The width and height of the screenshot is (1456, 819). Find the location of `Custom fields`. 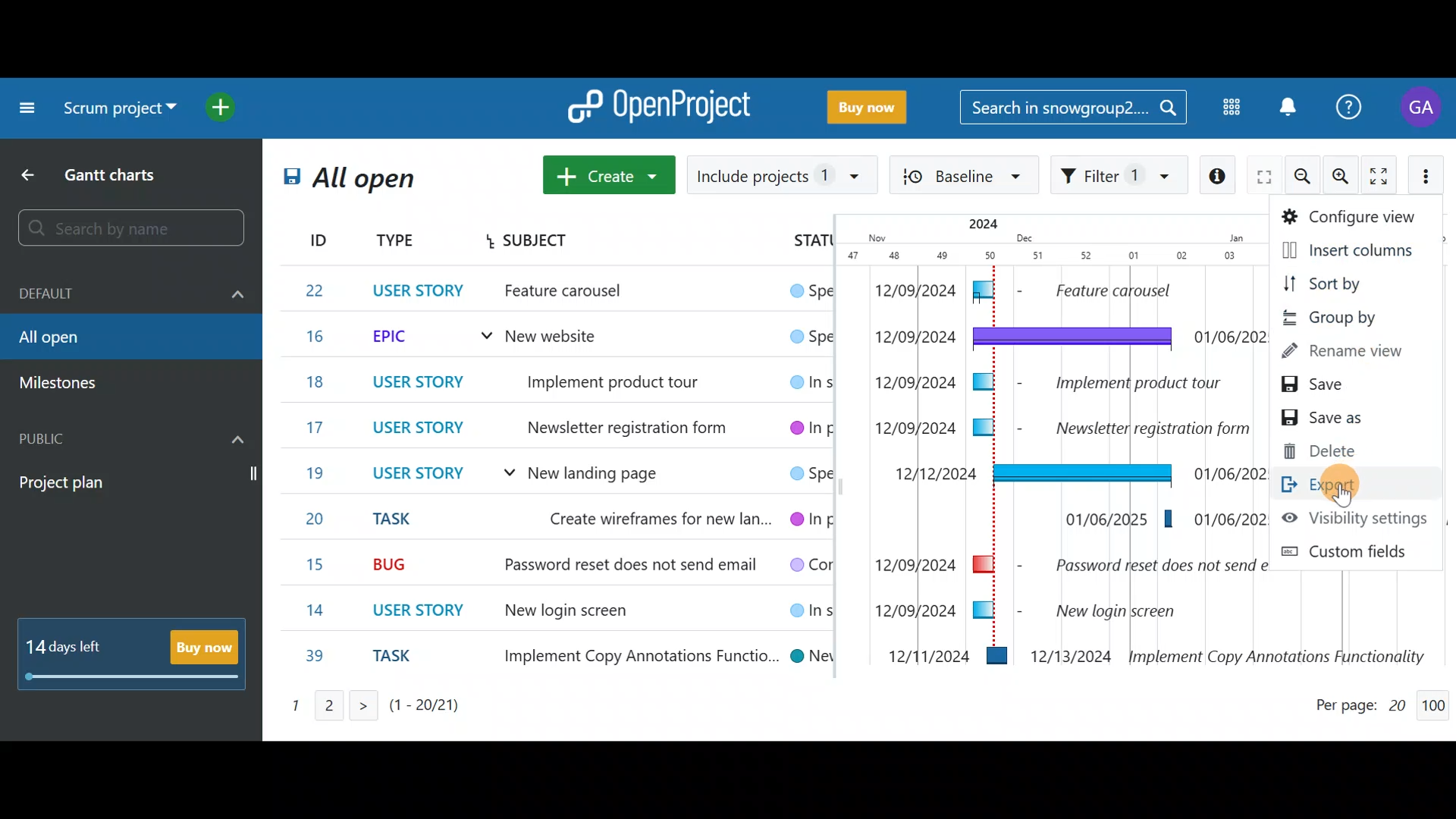

Custom fields is located at coordinates (1354, 549).